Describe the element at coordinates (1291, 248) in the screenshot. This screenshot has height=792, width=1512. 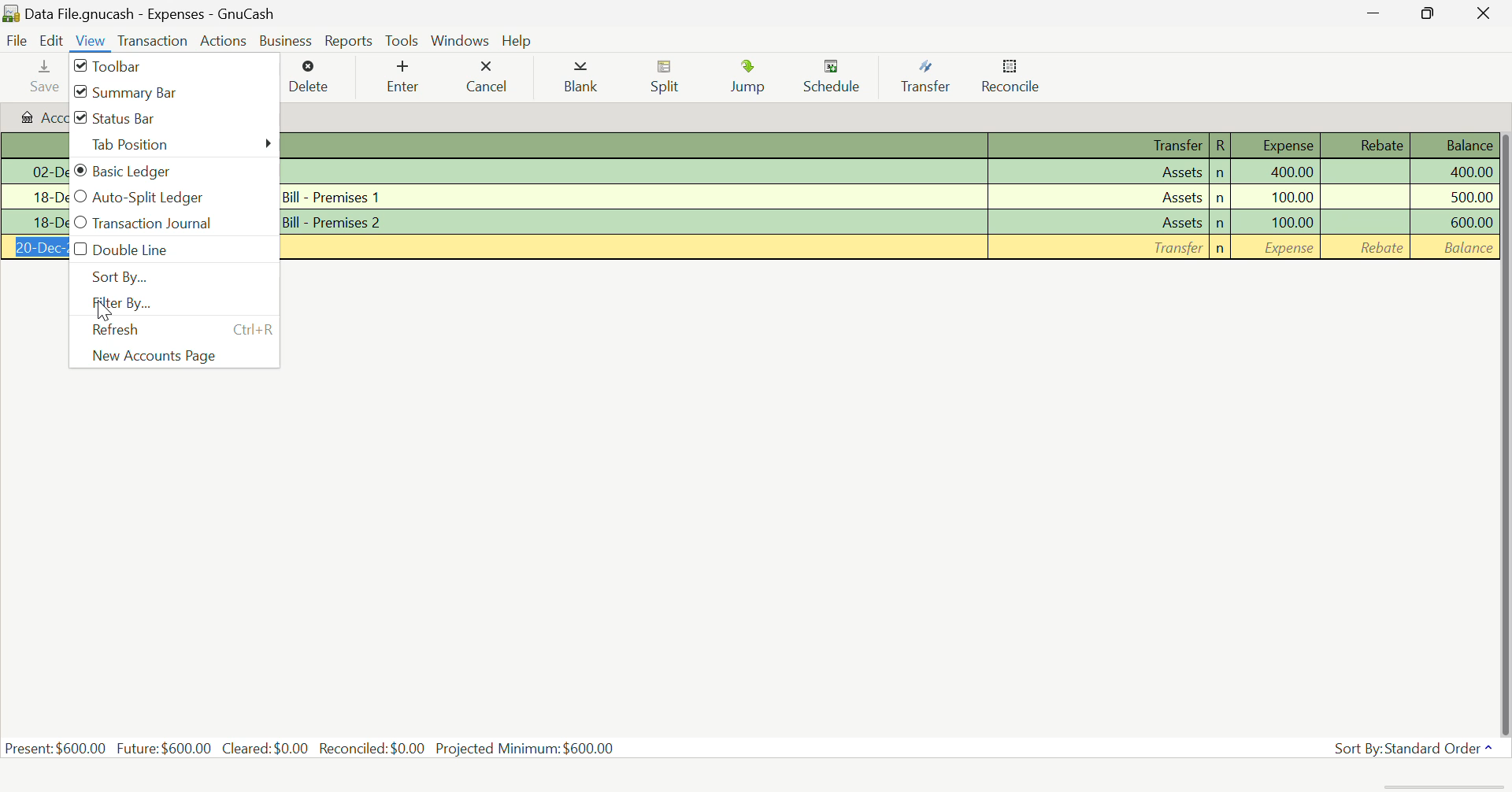
I see `Amount` at that location.